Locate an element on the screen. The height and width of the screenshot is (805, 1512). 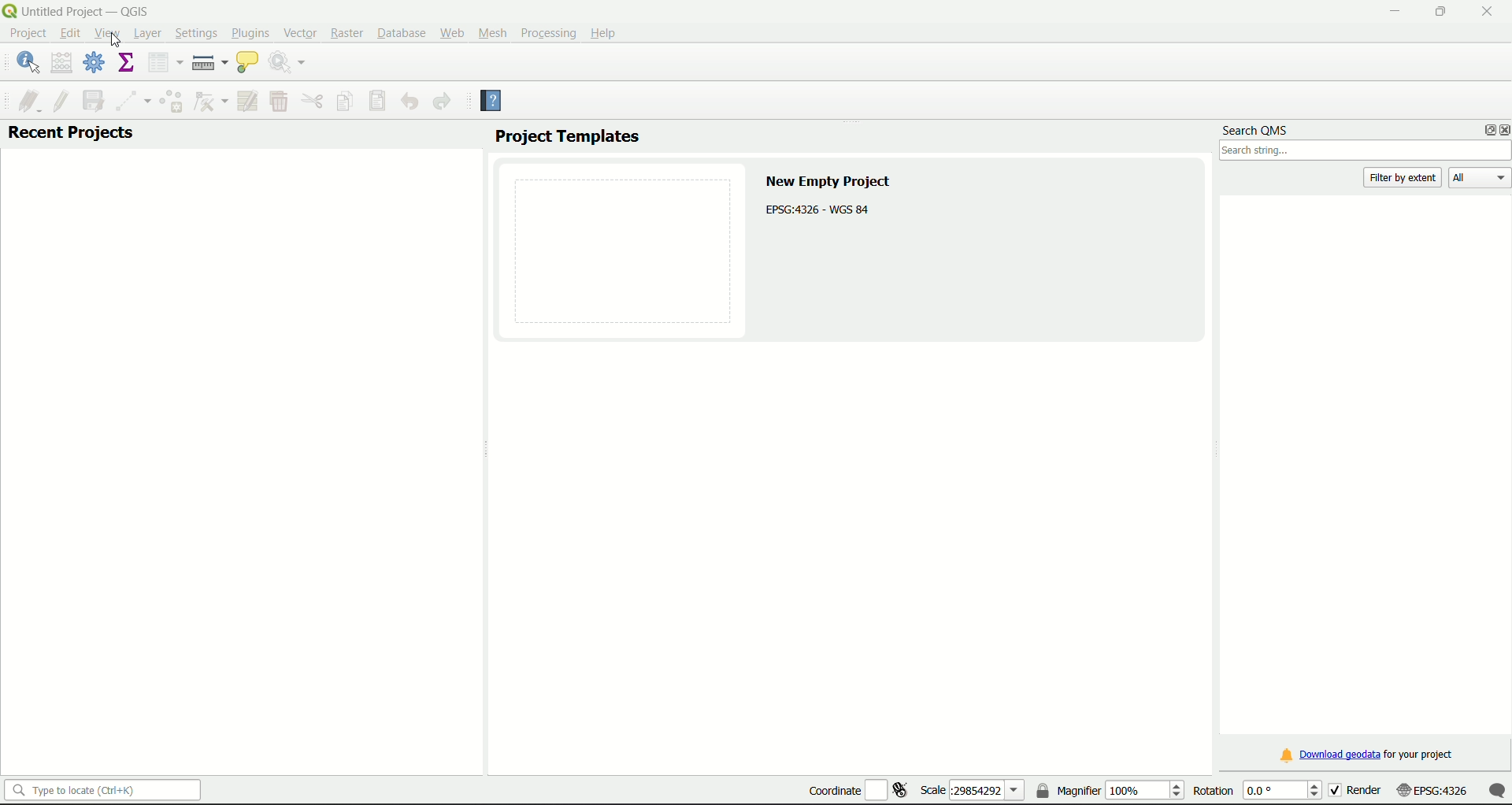
All is located at coordinates (1480, 177).